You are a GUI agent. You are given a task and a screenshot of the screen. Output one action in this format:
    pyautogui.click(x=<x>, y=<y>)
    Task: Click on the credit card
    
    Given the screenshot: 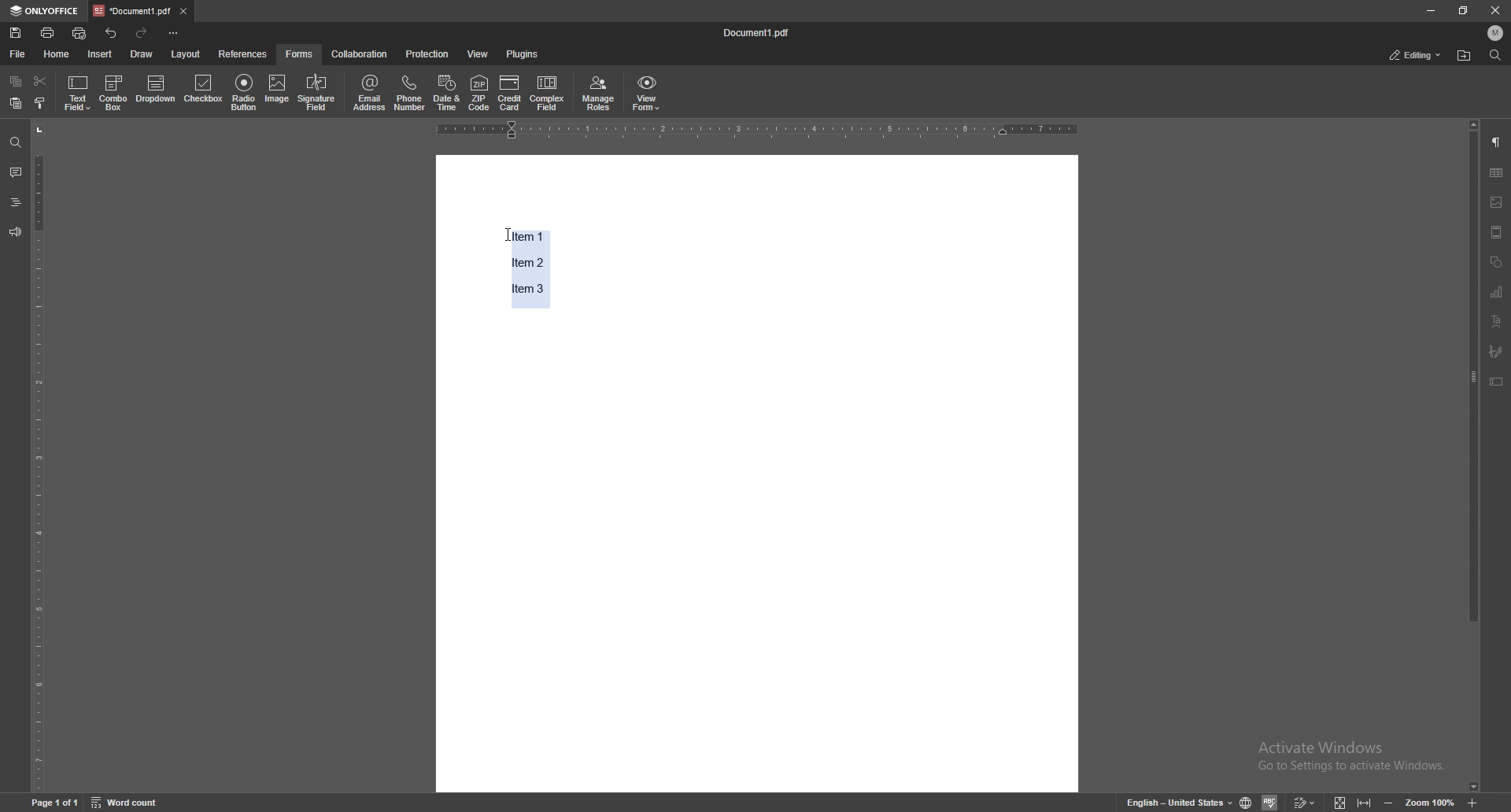 What is the action you would take?
    pyautogui.click(x=512, y=94)
    